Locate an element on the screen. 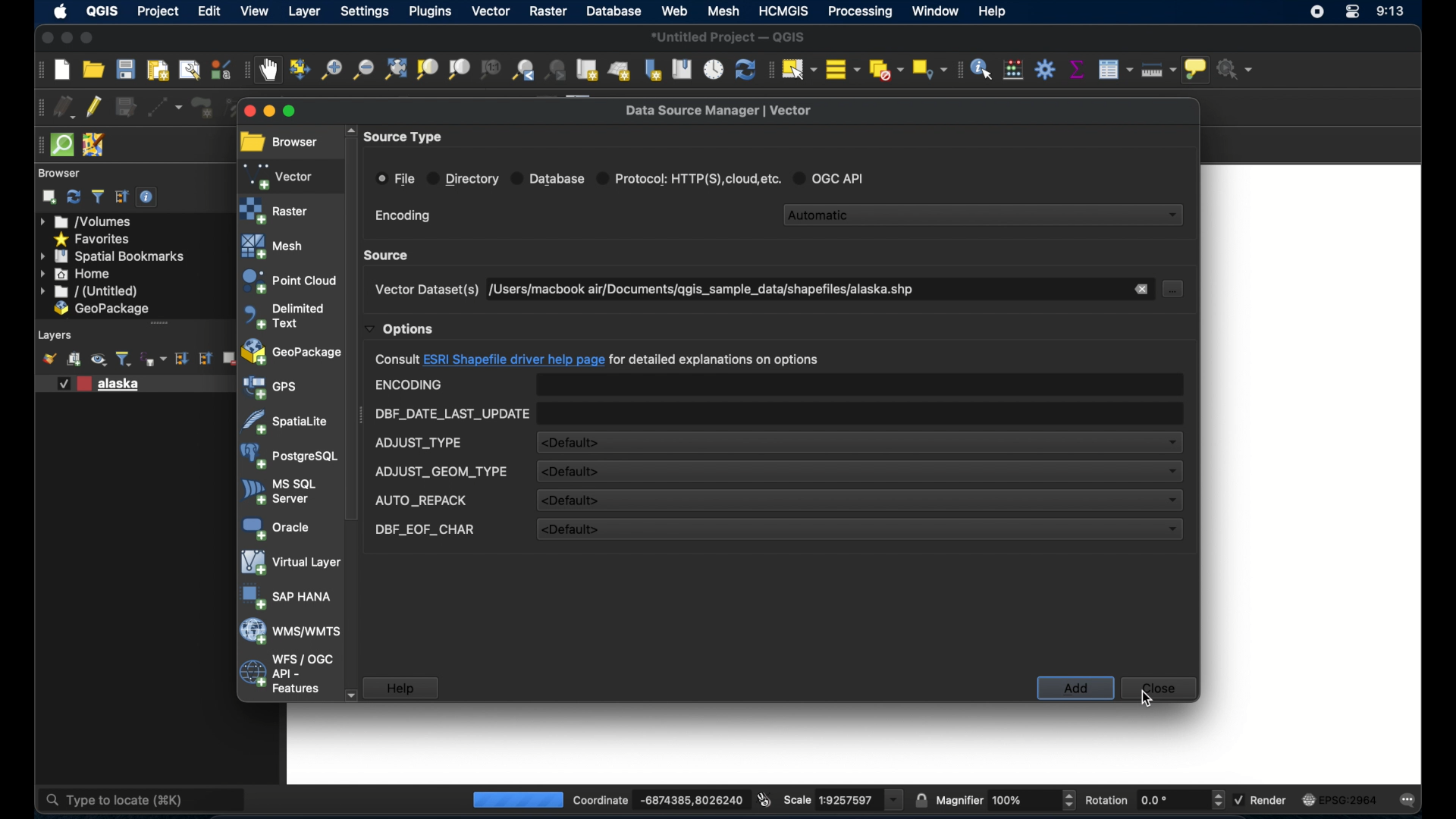 The image size is (1456, 819). zoom out is located at coordinates (362, 72).